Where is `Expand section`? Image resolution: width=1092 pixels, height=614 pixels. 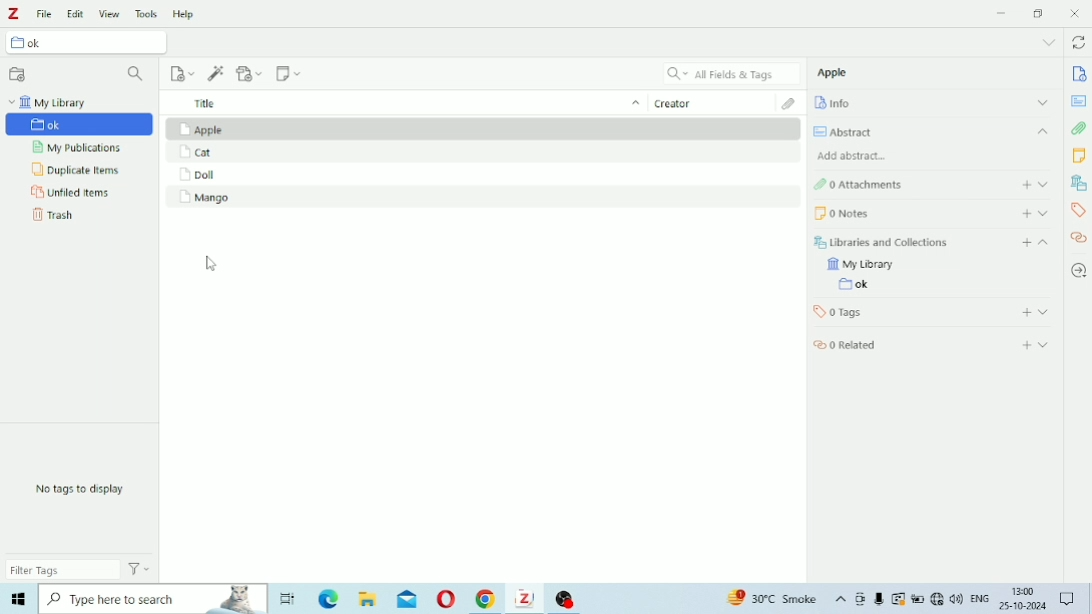 Expand section is located at coordinates (1043, 345).